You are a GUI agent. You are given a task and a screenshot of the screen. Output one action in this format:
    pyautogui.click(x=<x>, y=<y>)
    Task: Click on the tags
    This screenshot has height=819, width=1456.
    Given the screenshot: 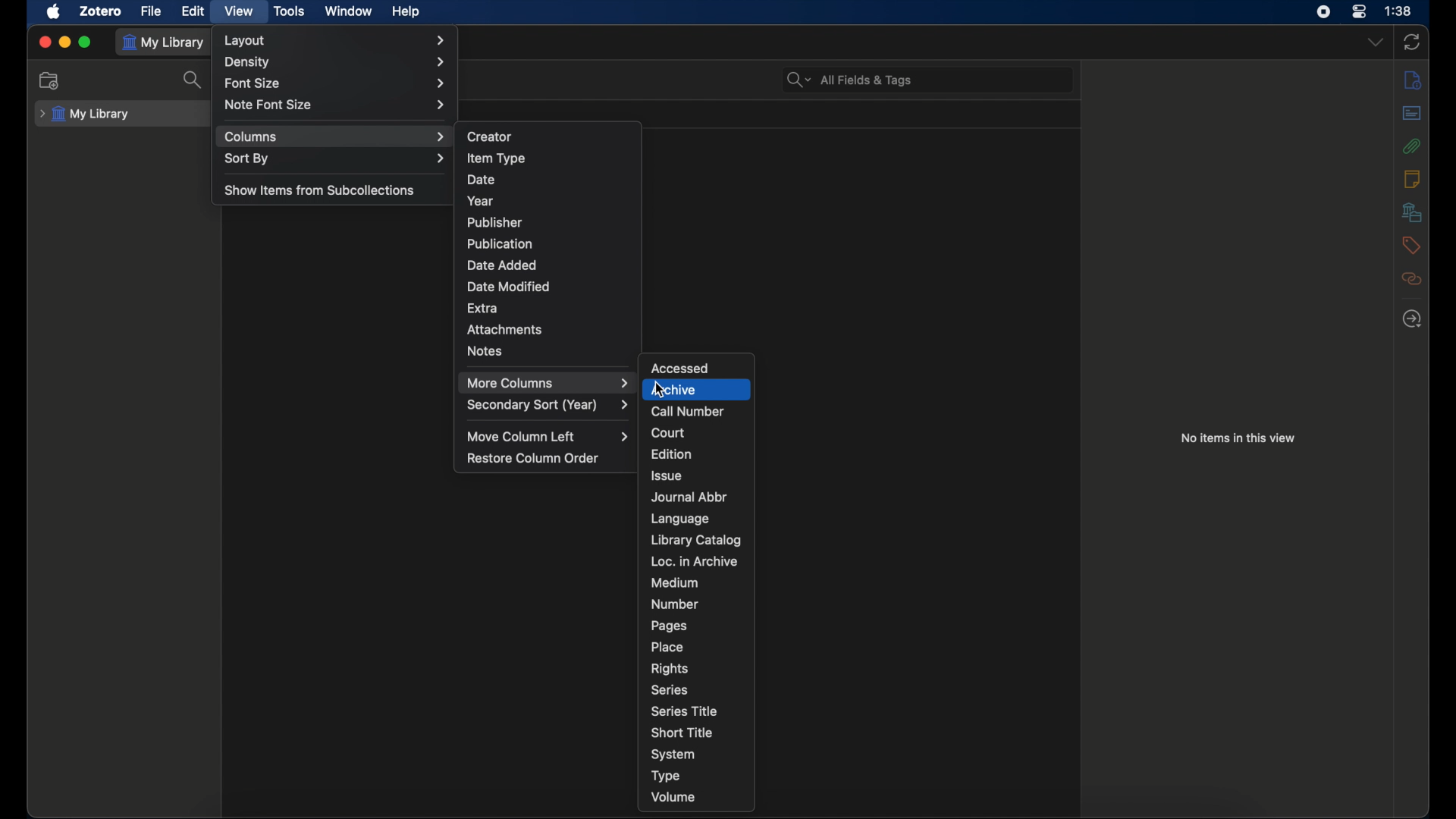 What is the action you would take?
    pyautogui.click(x=1412, y=245)
    